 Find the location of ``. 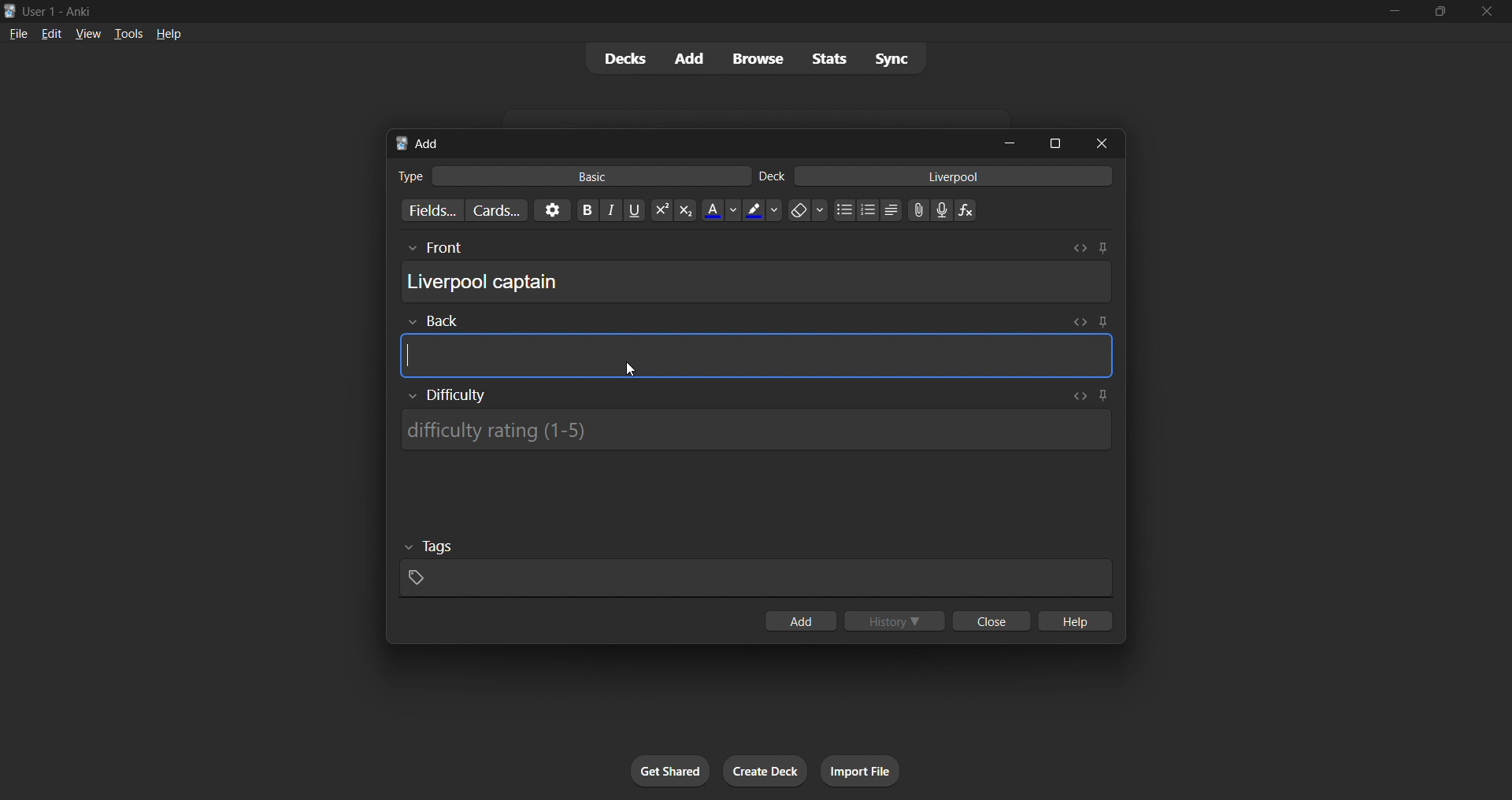

 is located at coordinates (433, 321).